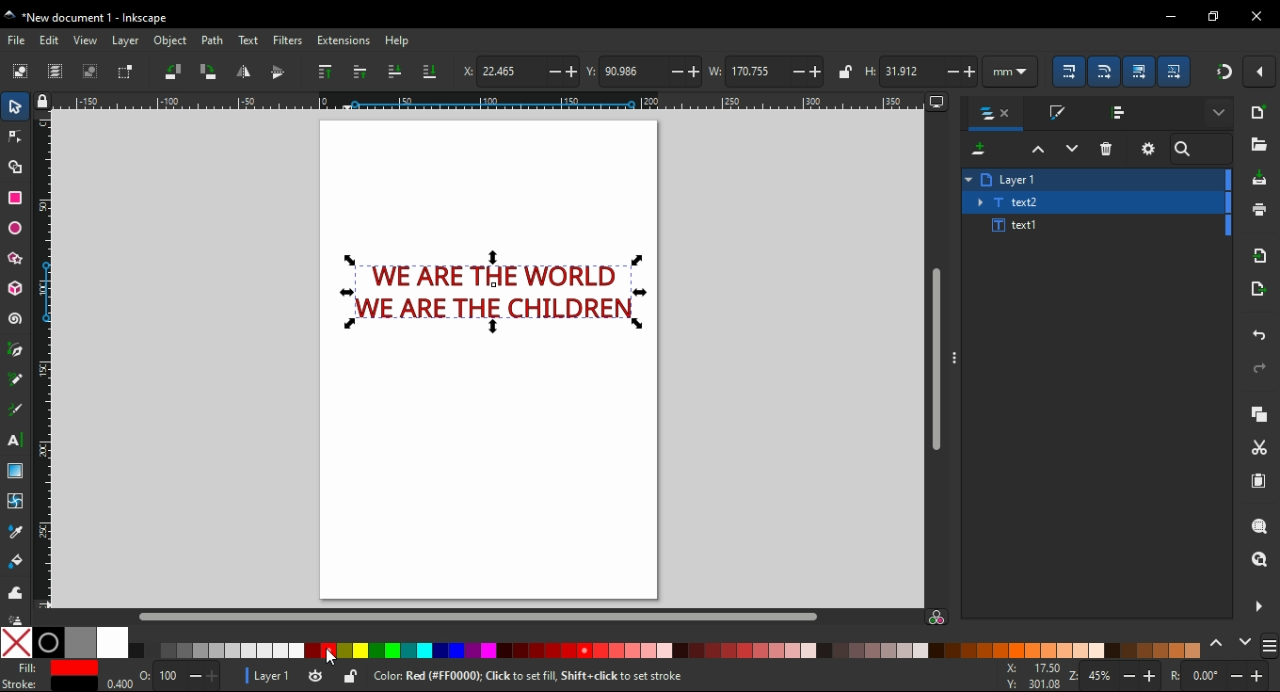 Image resolution: width=1280 pixels, height=692 pixels. What do you see at coordinates (1011, 202) in the screenshot?
I see `text2` at bounding box center [1011, 202].